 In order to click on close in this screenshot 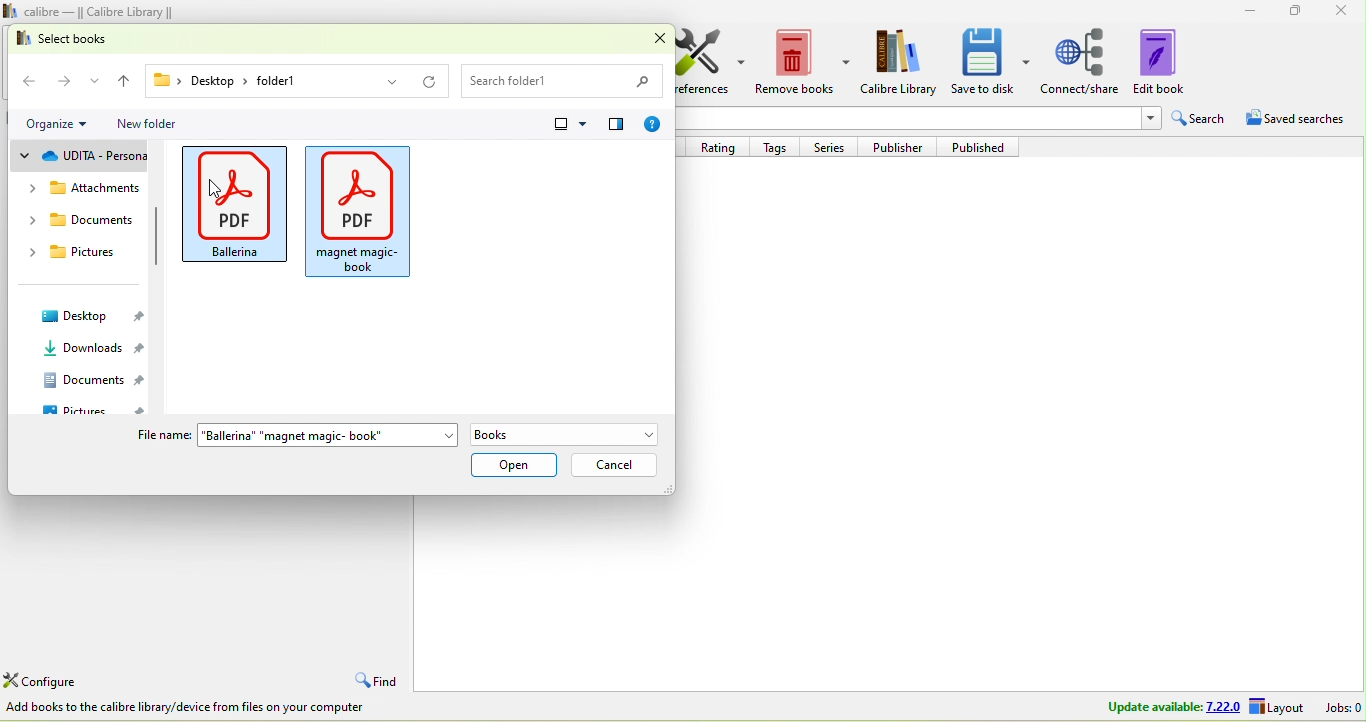, I will do `click(1343, 13)`.